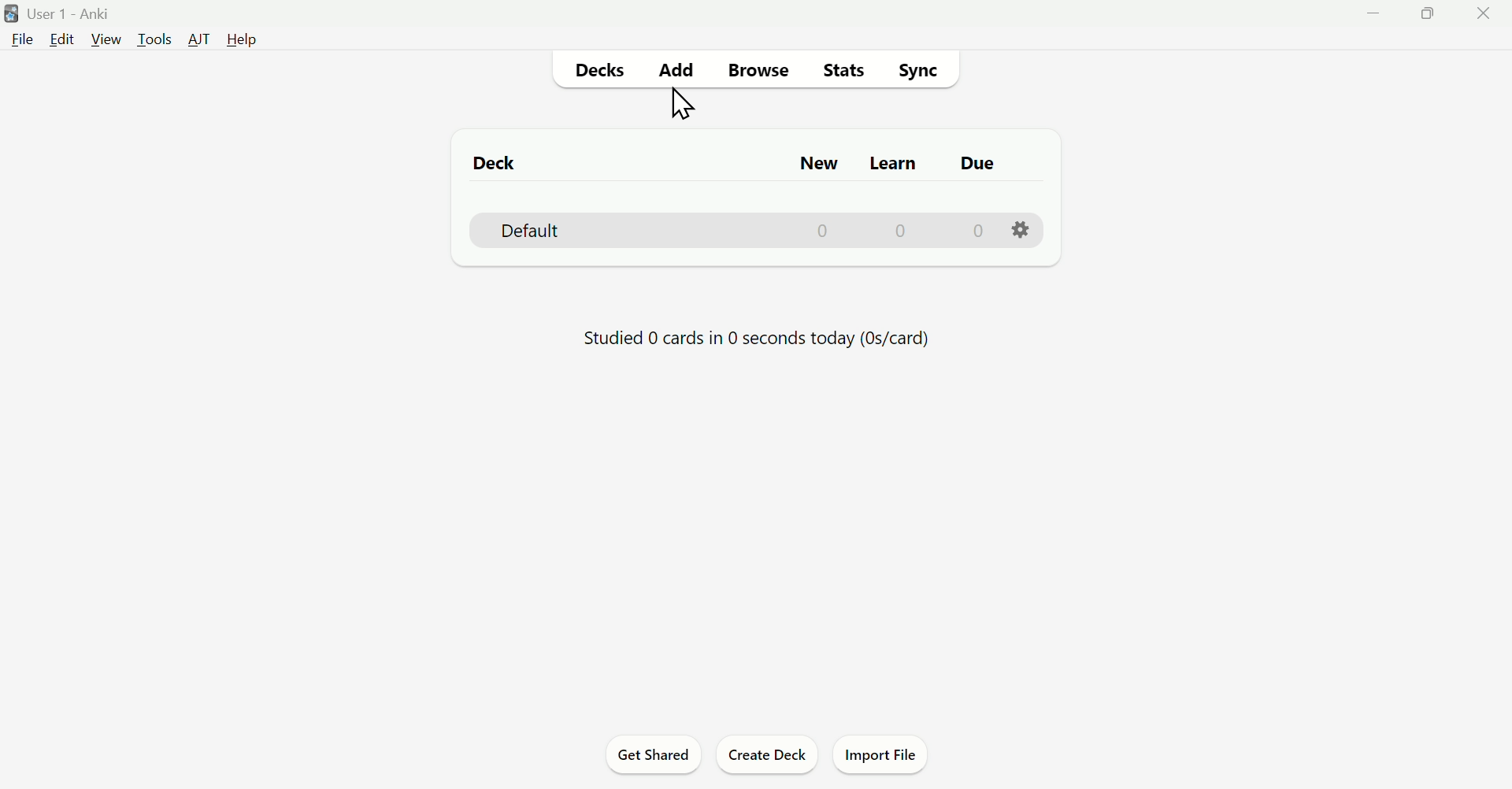 Image resolution: width=1512 pixels, height=789 pixels. Describe the element at coordinates (503, 163) in the screenshot. I see `Deck` at that location.